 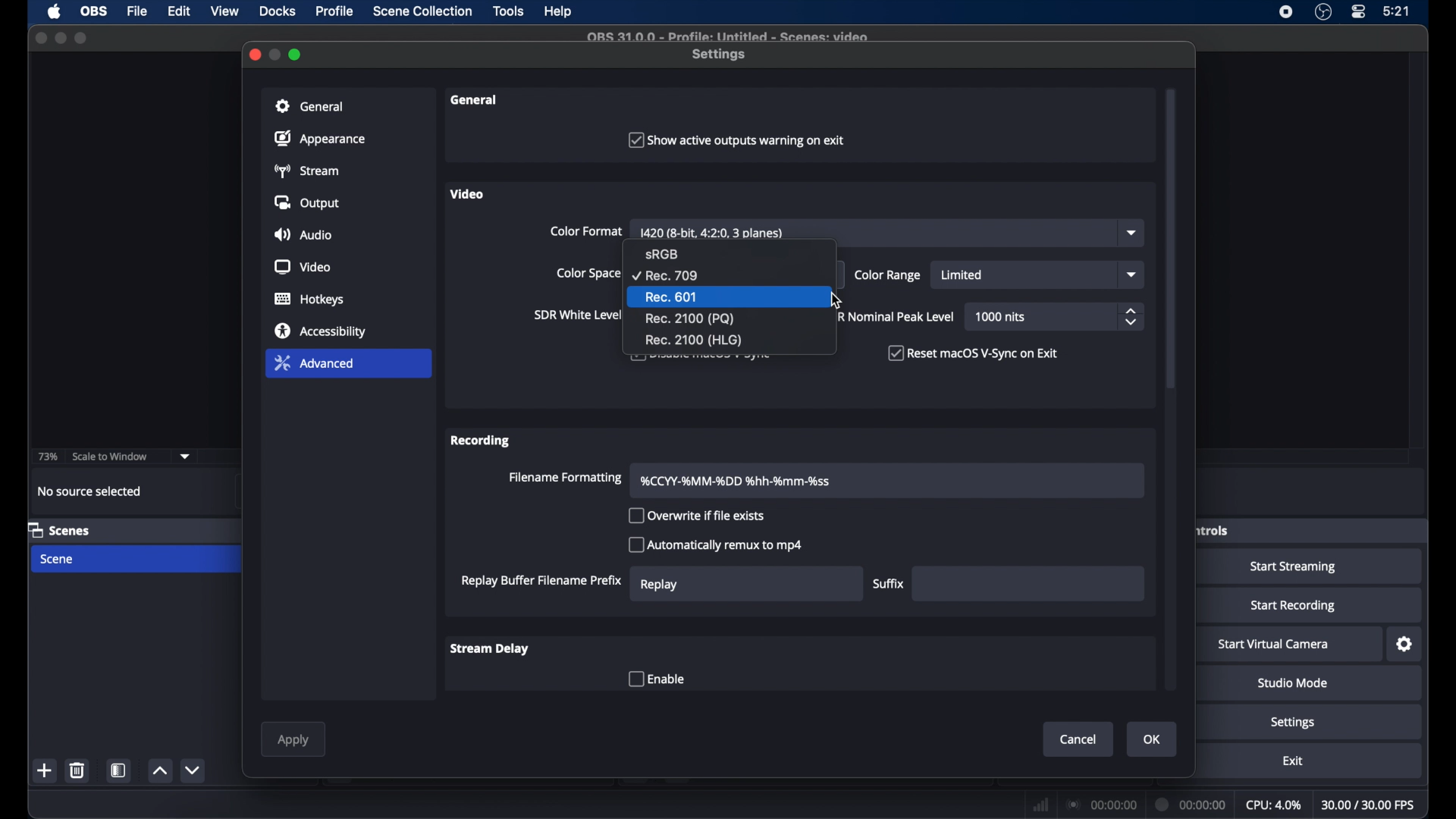 I want to click on sRGB, so click(x=663, y=253).